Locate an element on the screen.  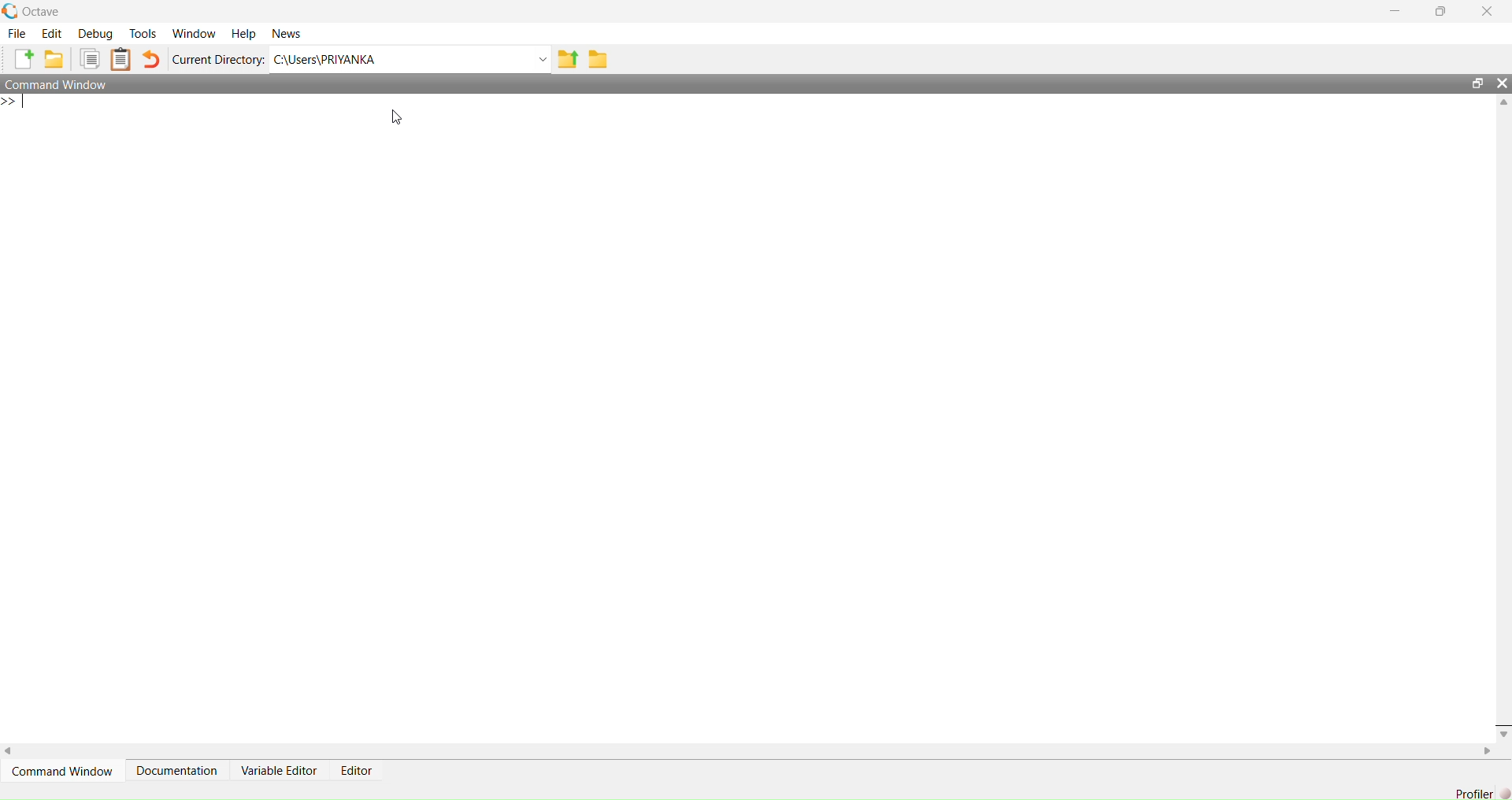
Close is located at coordinates (1483, 12).